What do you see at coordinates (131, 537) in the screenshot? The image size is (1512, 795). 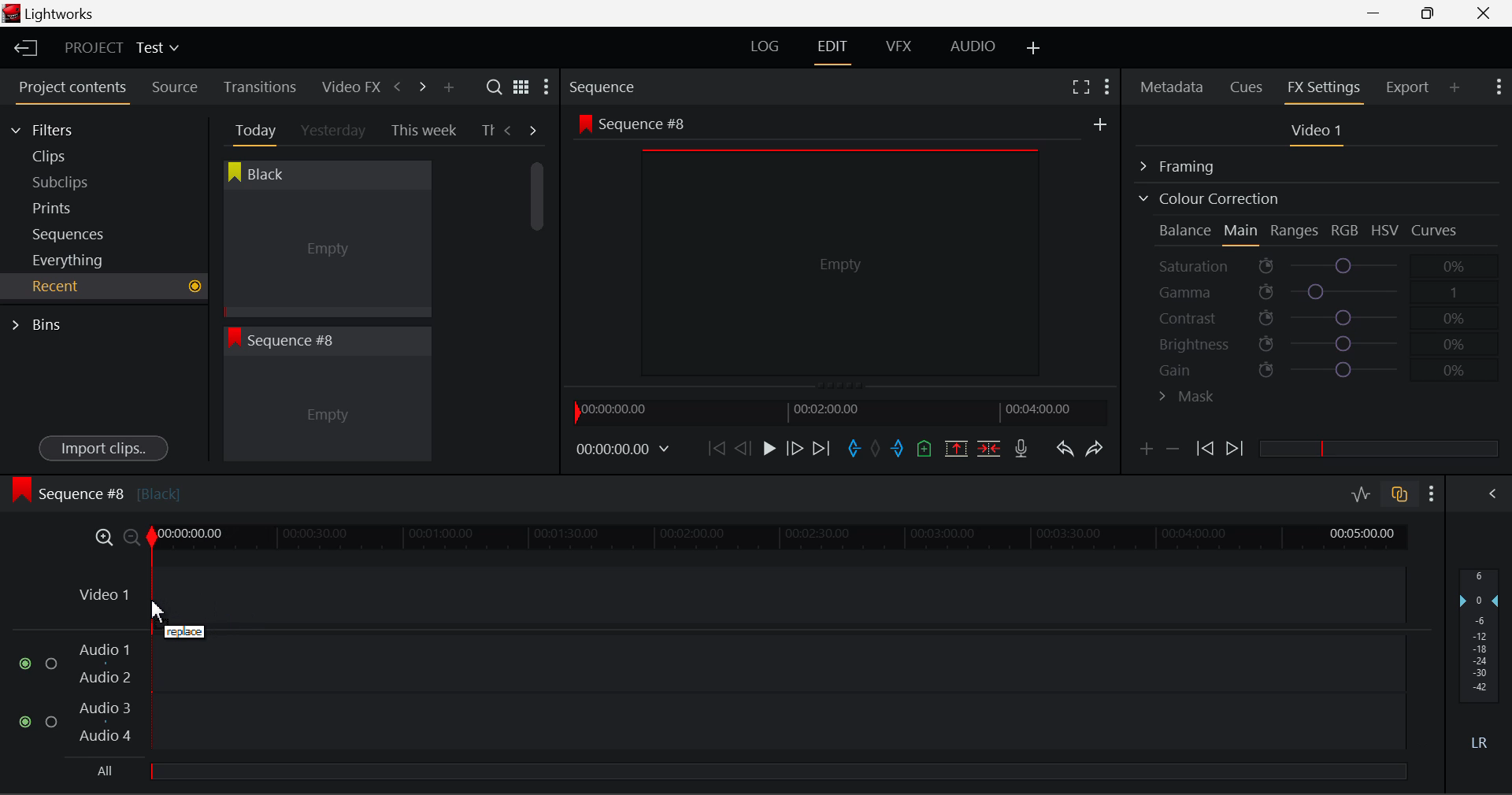 I see `Timeline Zoom Out` at bounding box center [131, 537].